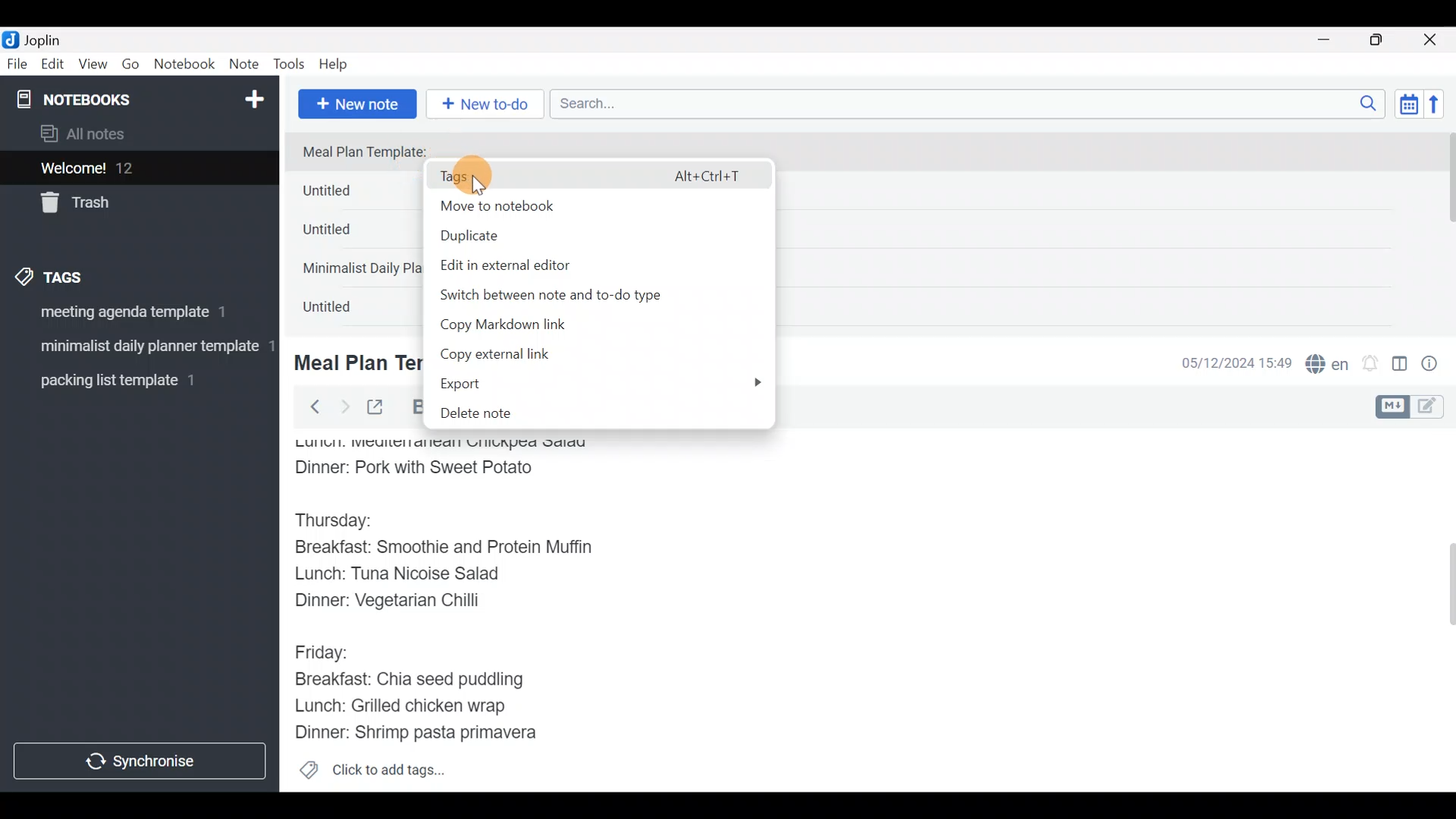 Image resolution: width=1456 pixels, height=819 pixels. Describe the element at coordinates (482, 174) in the screenshot. I see `Cursor` at that location.